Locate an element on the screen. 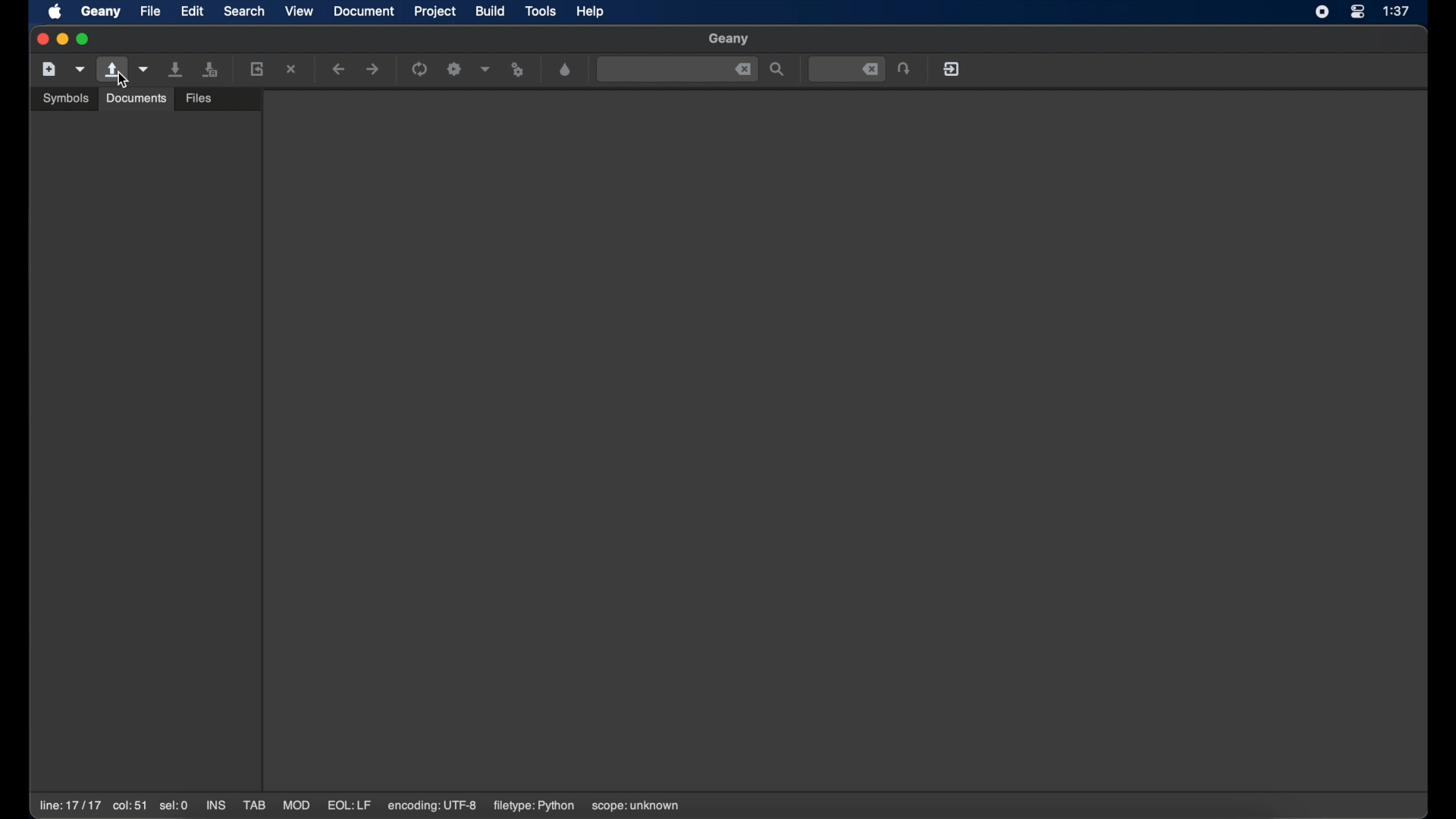  documents is located at coordinates (135, 98).